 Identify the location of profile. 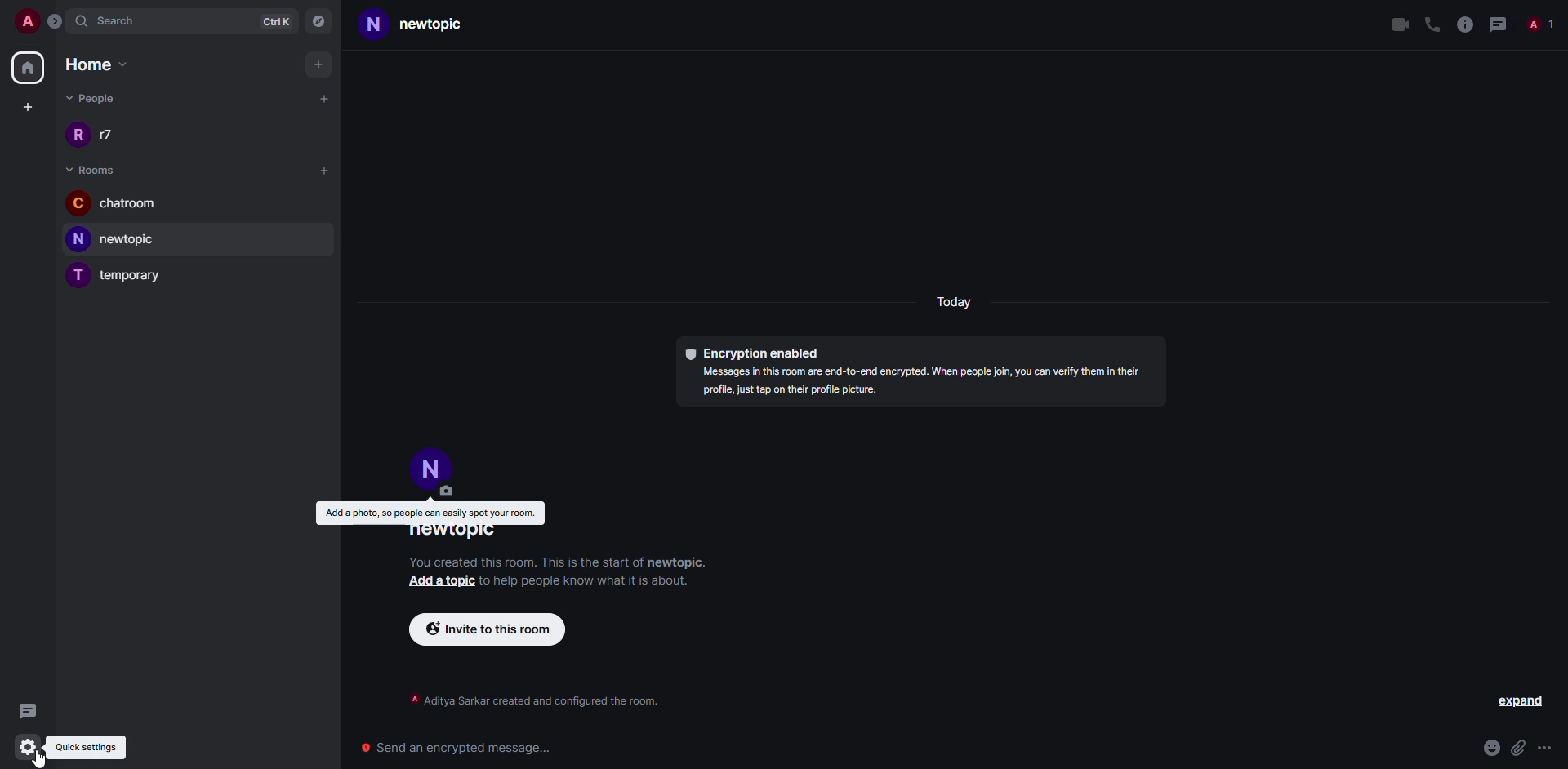
(431, 471).